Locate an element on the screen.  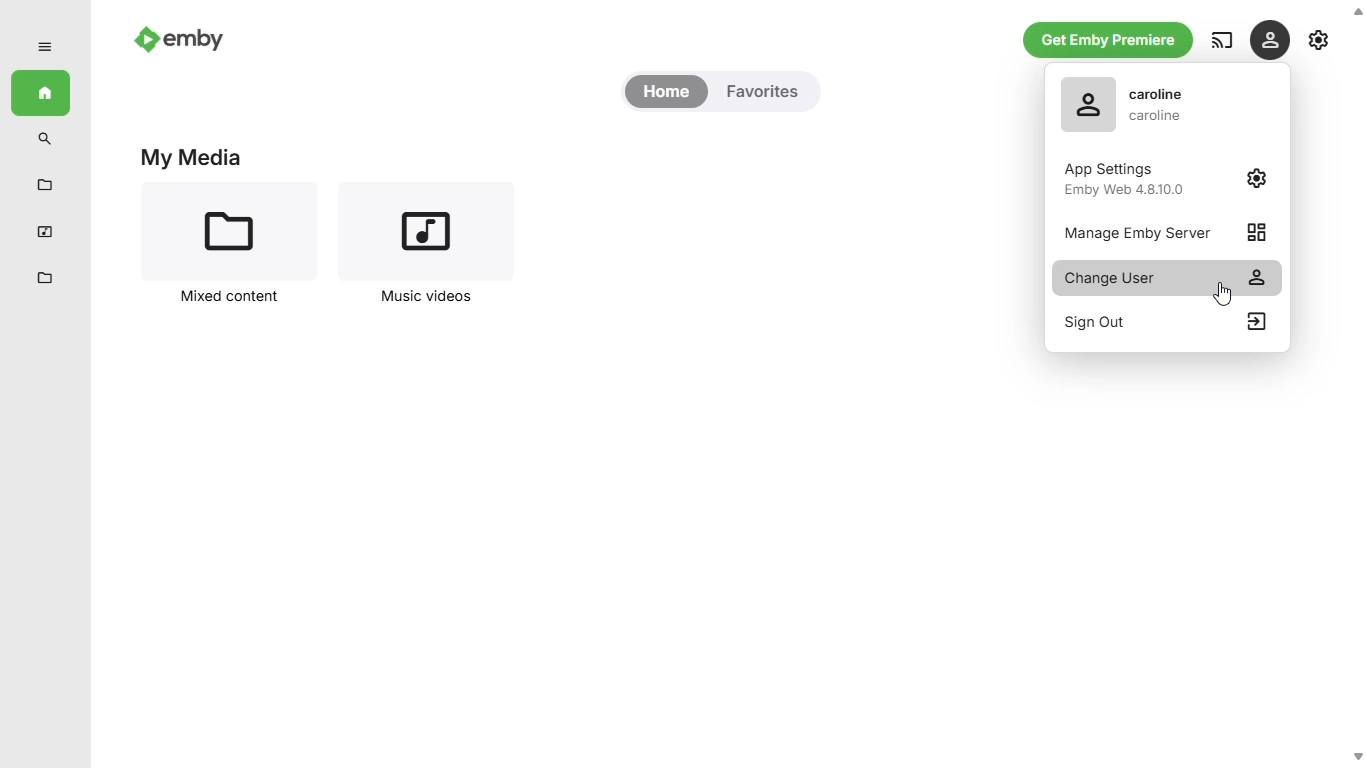
app settings is located at coordinates (1169, 178).